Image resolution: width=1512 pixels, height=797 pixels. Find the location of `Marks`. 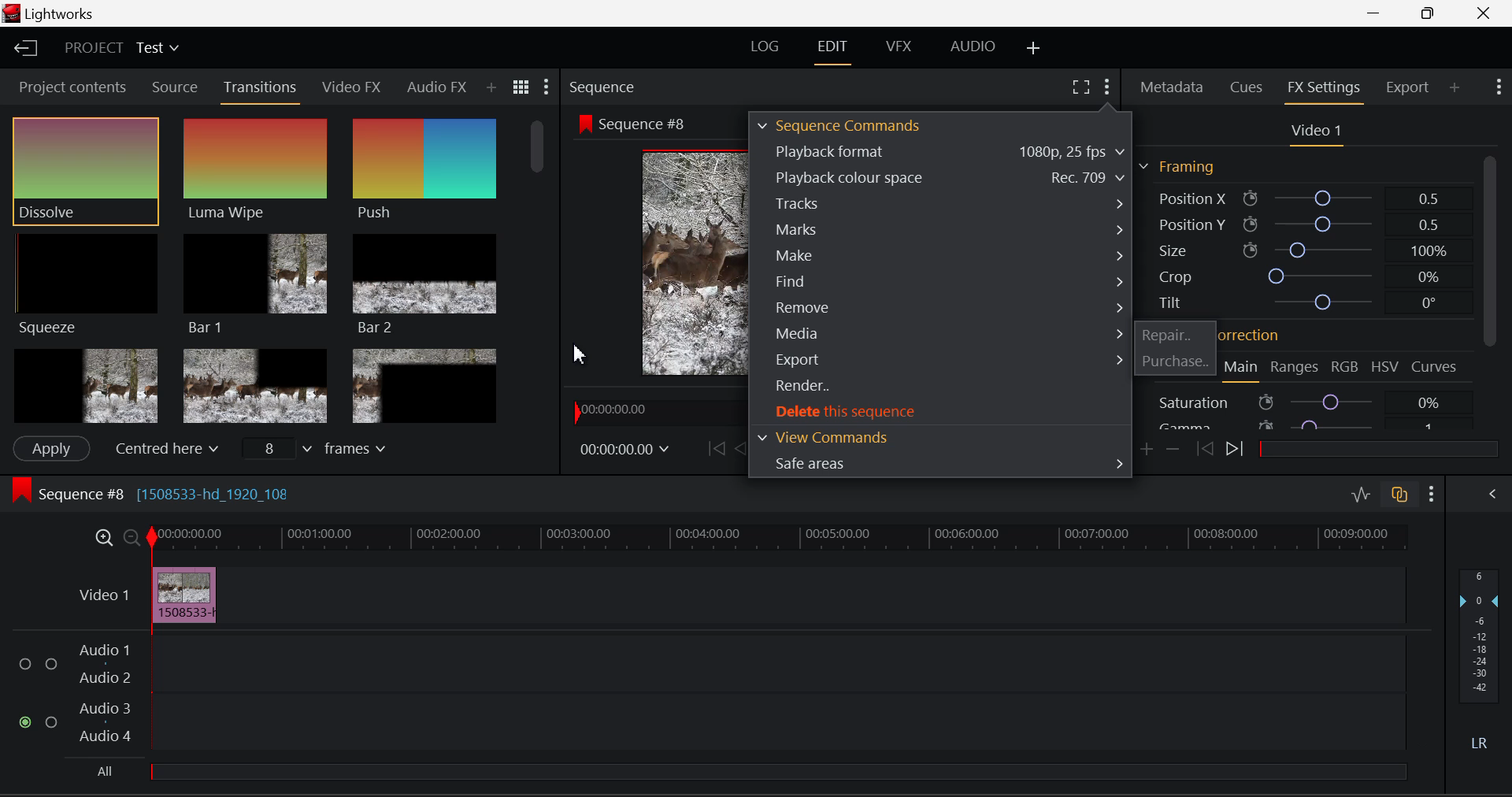

Marks is located at coordinates (937, 231).